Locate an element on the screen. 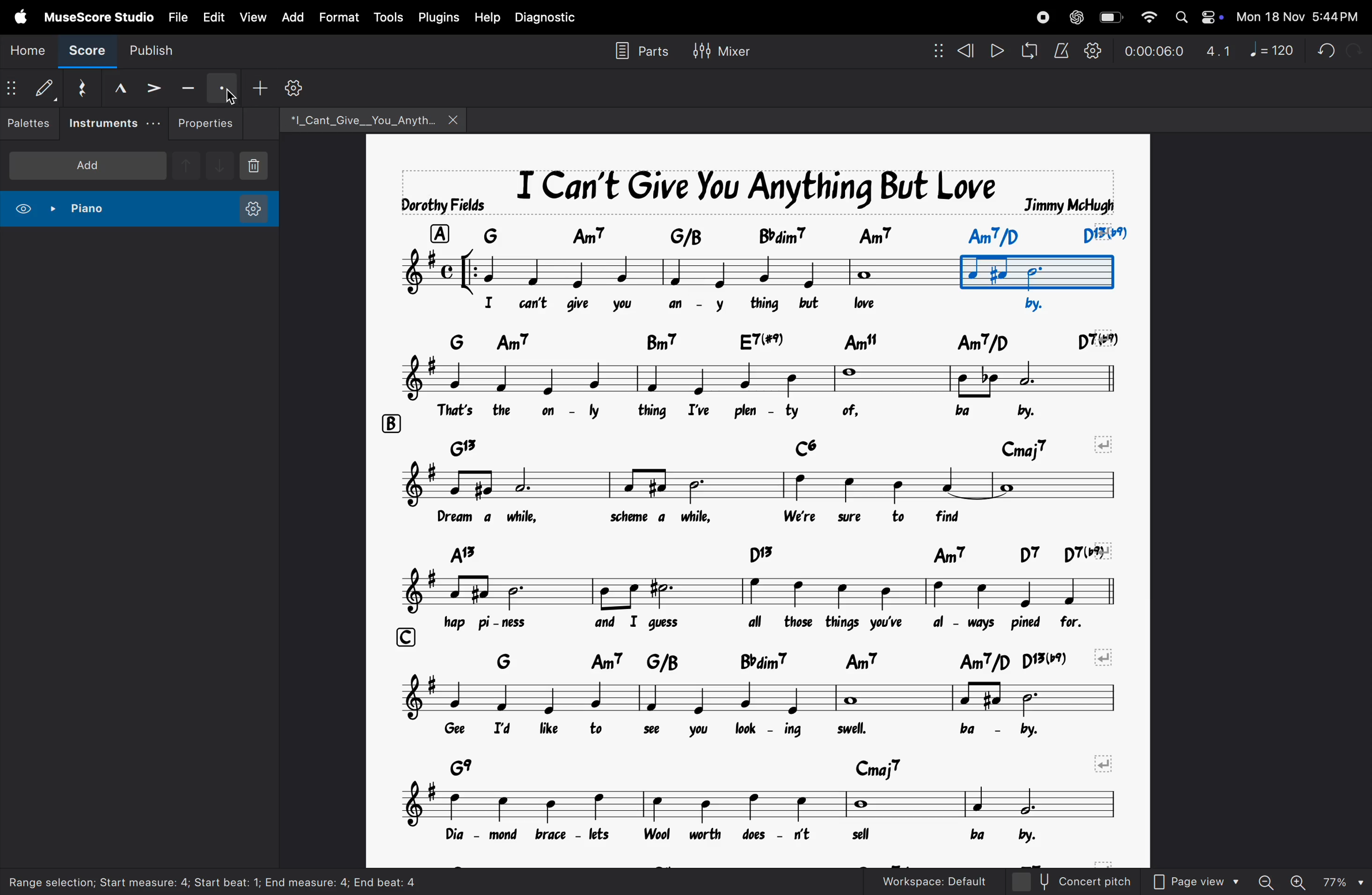  play is located at coordinates (997, 51).